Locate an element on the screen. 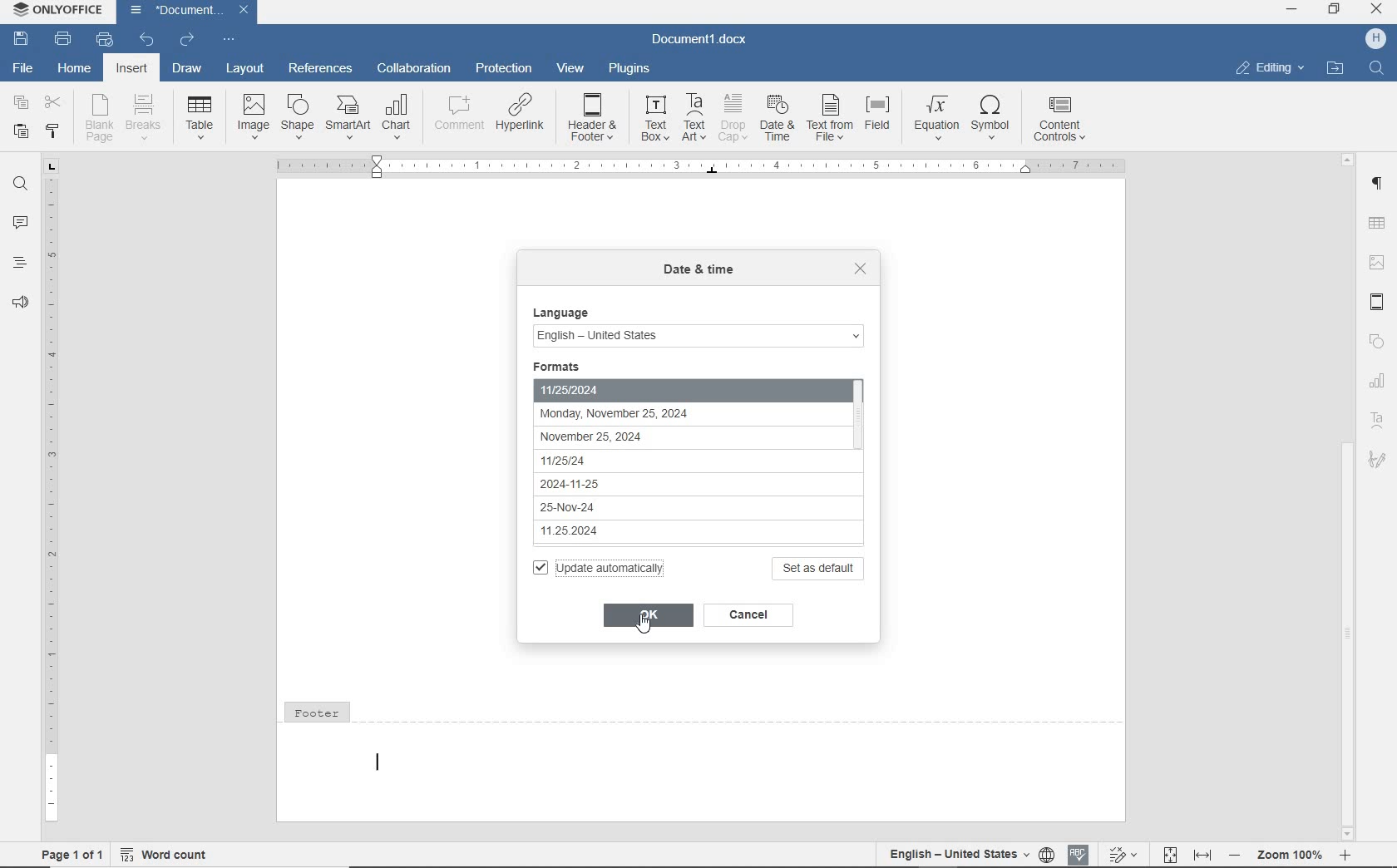  Page 1 of 1 is located at coordinates (66, 854).